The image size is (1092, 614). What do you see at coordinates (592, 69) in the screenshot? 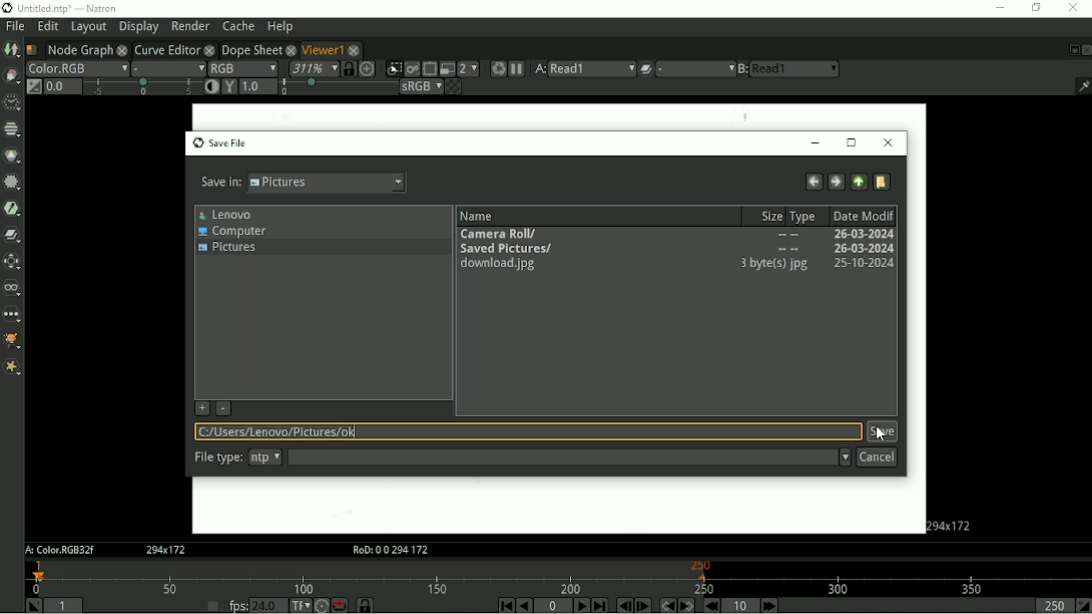
I see `read1` at bounding box center [592, 69].